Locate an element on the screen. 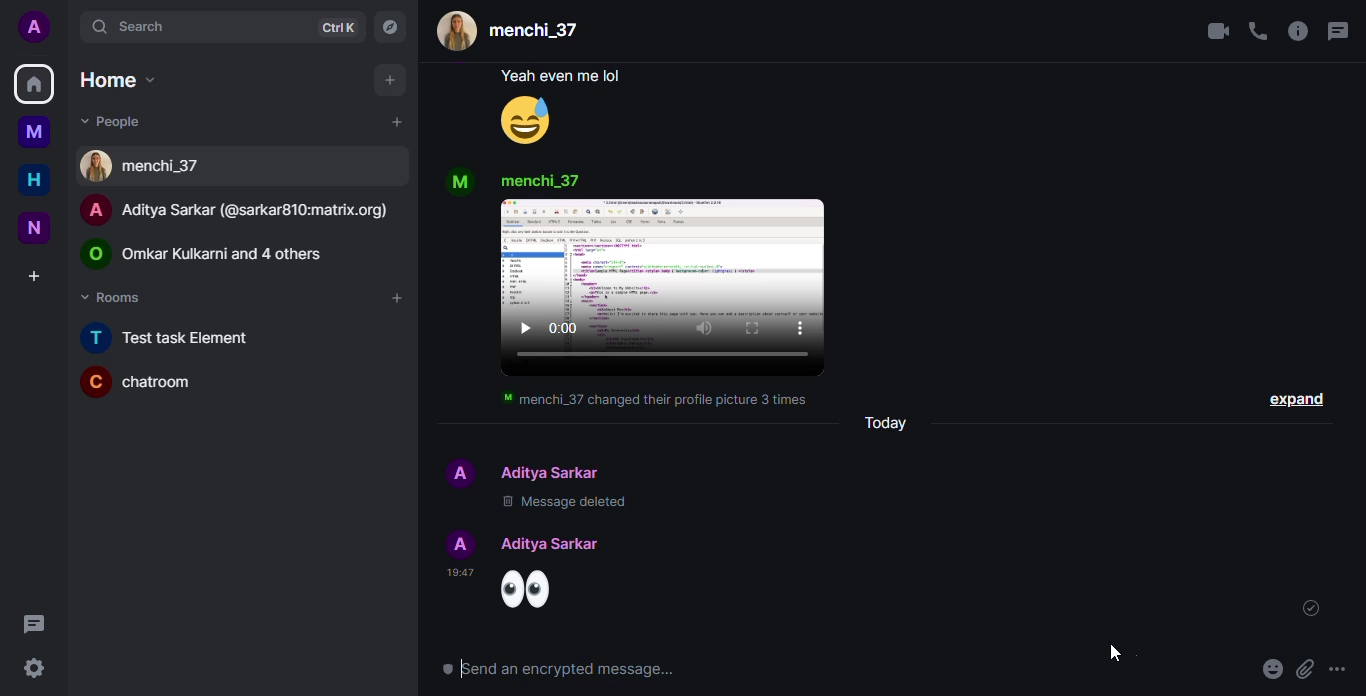 The height and width of the screenshot is (696, 1366). info is located at coordinates (1296, 32).